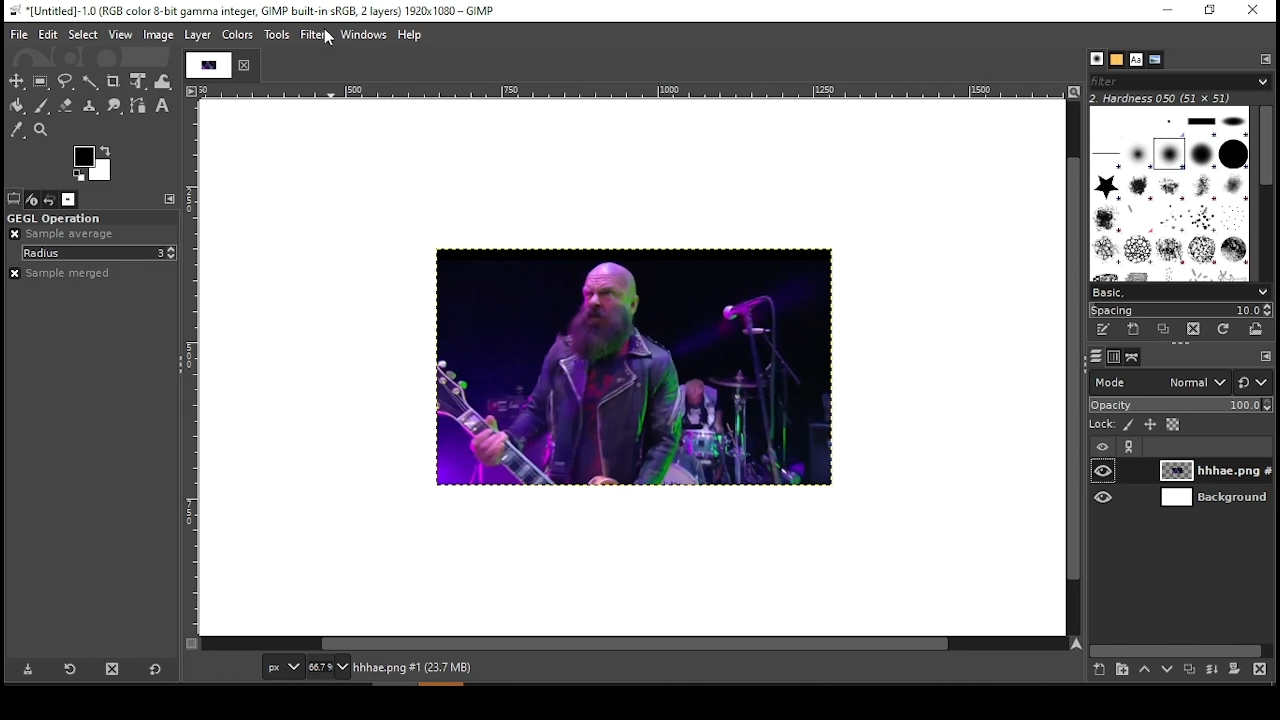 Image resolution: width=1280 pixels, height=720 pixels. I want to click on layer , so click(1212, 497).